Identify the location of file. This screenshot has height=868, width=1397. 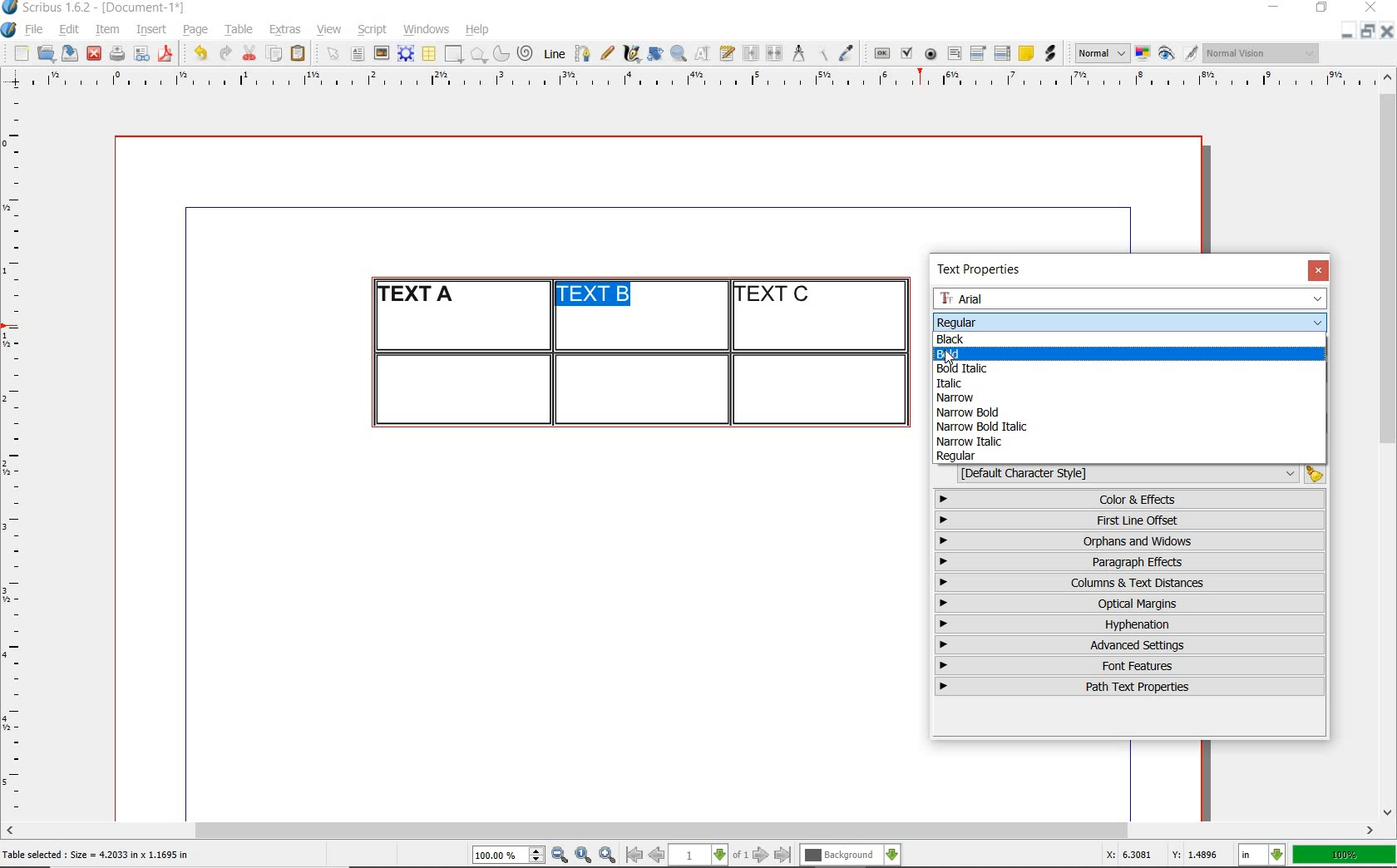
(36, 30).